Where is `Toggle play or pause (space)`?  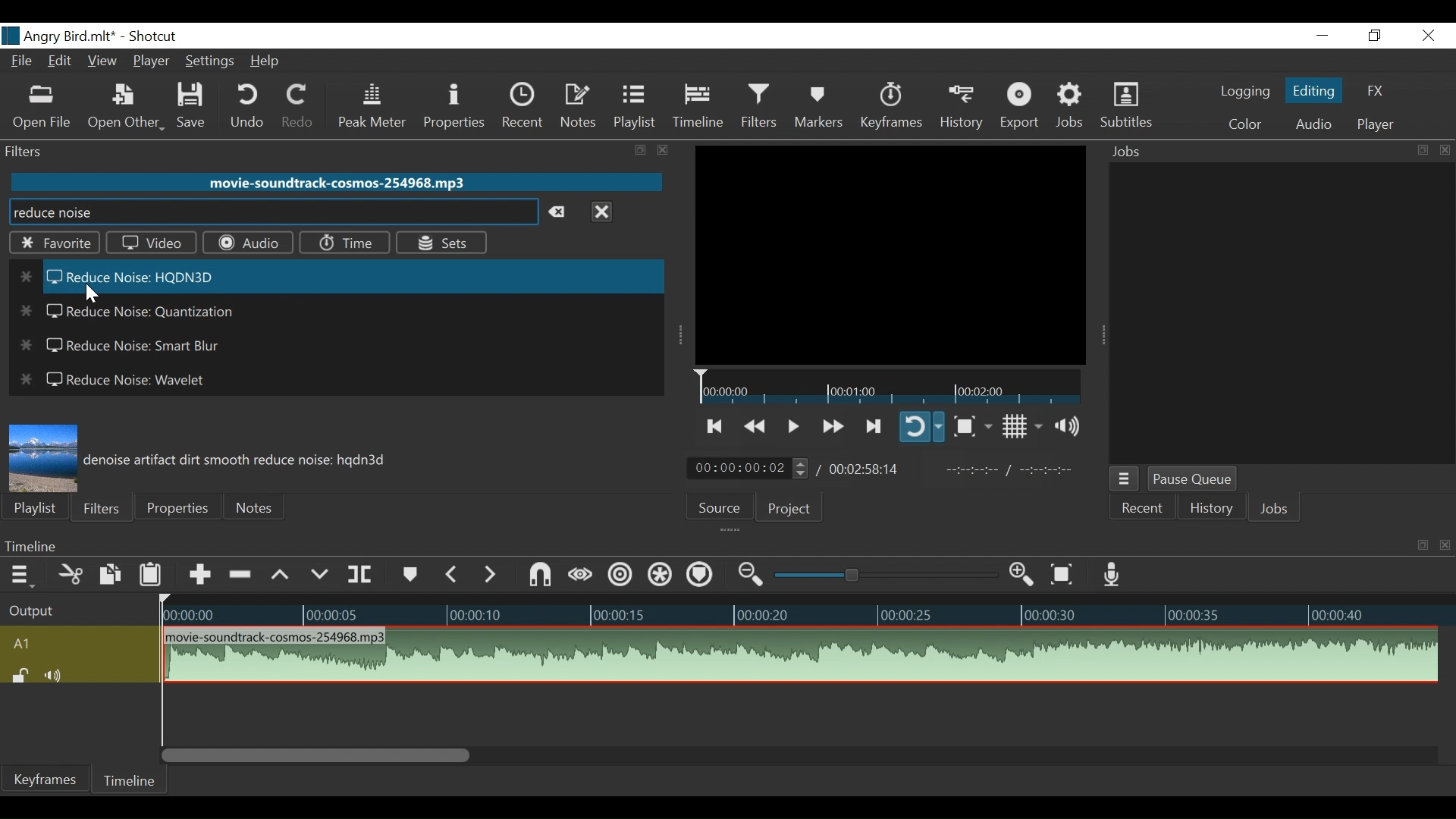 Toggle play or pause (space) is located at coordinates (792, 423).